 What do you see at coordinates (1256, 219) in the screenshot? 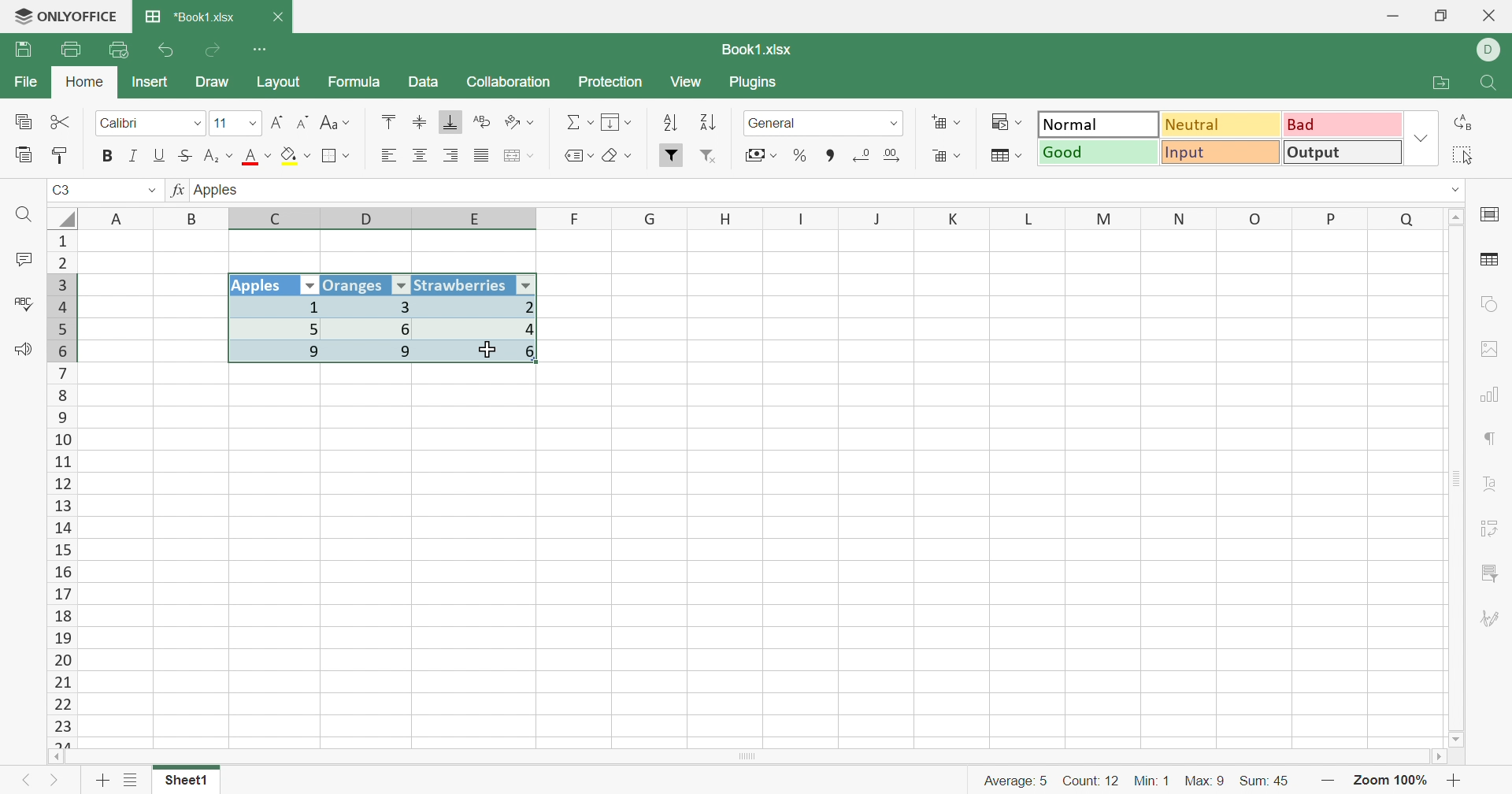
I see `O` at bounding box center [1256, 219].